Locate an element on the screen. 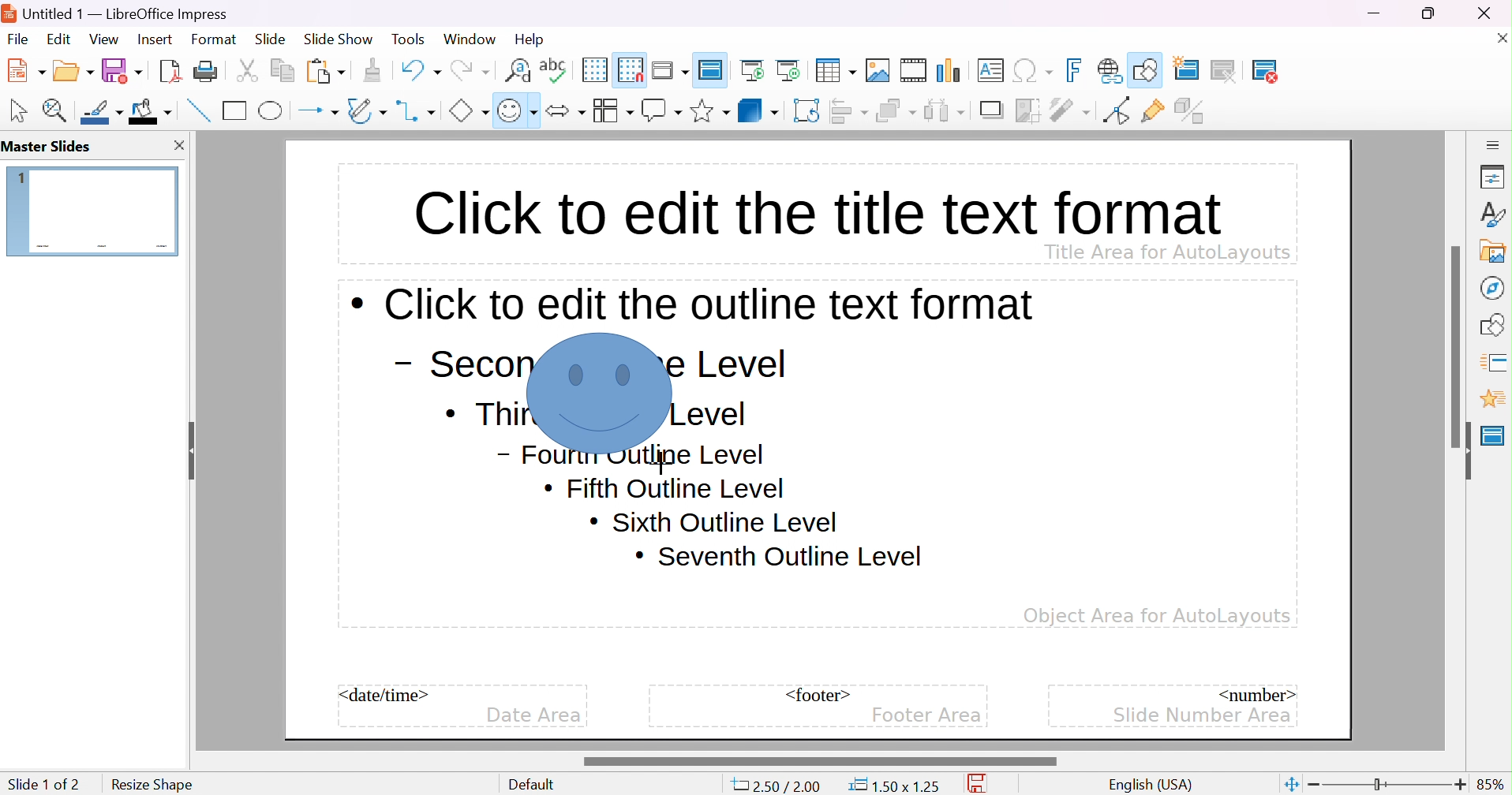 Image resolution: width=1512 pixels, height=795 pixels. export as pdf is located at coordinates (168, 70).